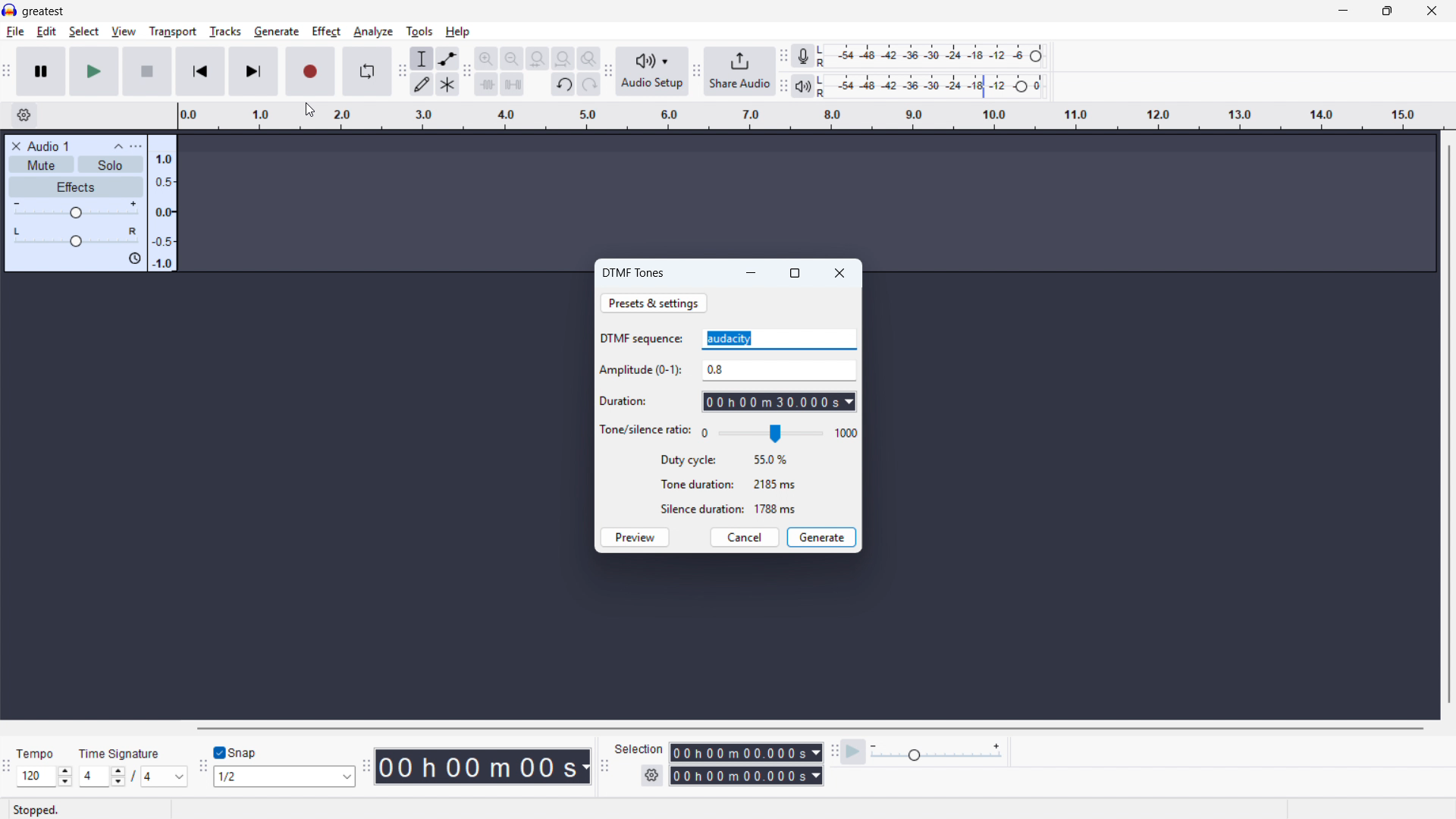 The image size is (1456, 819). I want to click on help, so click(458, 32).